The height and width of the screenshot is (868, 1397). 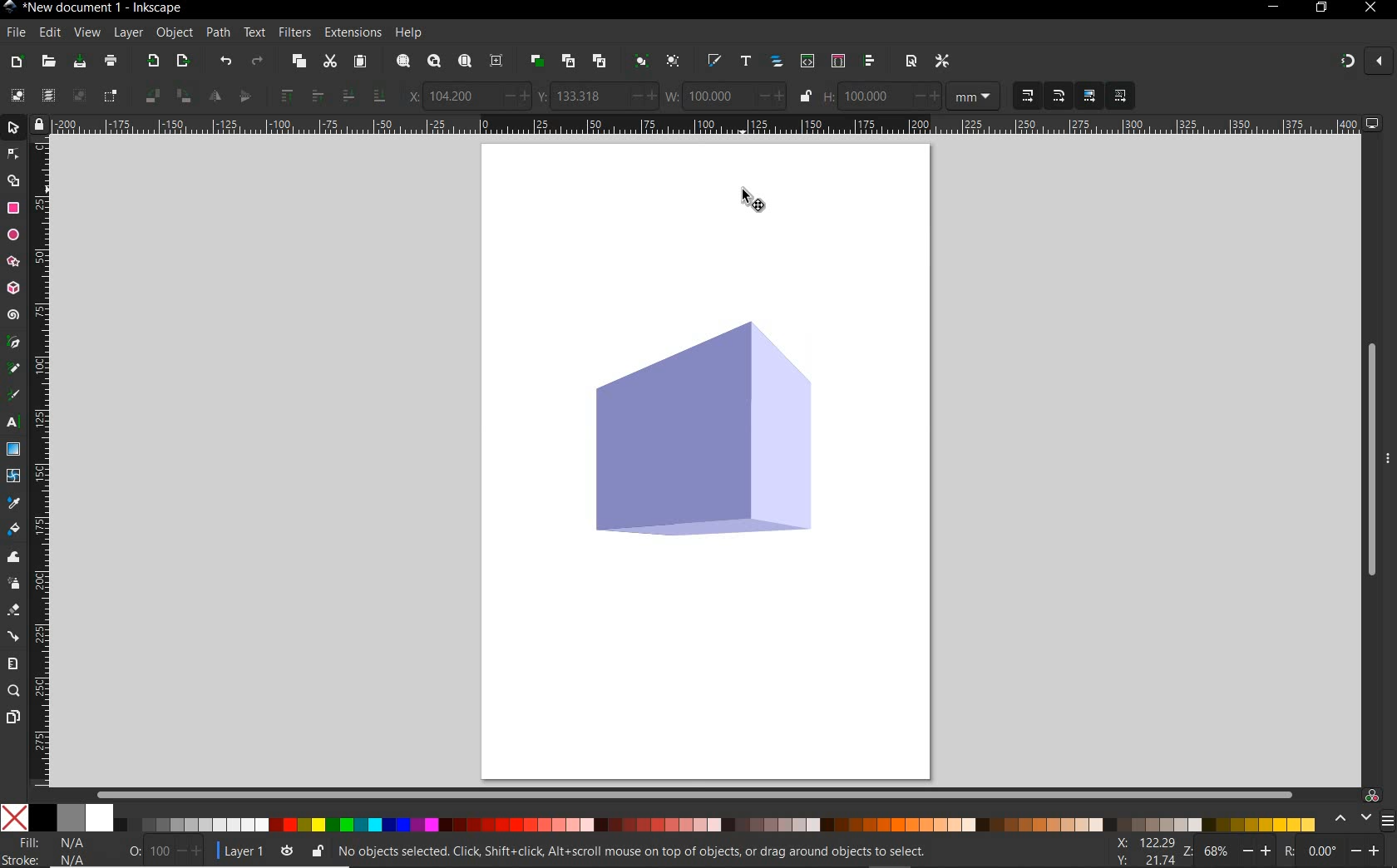 What do you see at coordinates (12, 343) in the screenshot?
I see `pen tool` at bounding box center [12, 343].